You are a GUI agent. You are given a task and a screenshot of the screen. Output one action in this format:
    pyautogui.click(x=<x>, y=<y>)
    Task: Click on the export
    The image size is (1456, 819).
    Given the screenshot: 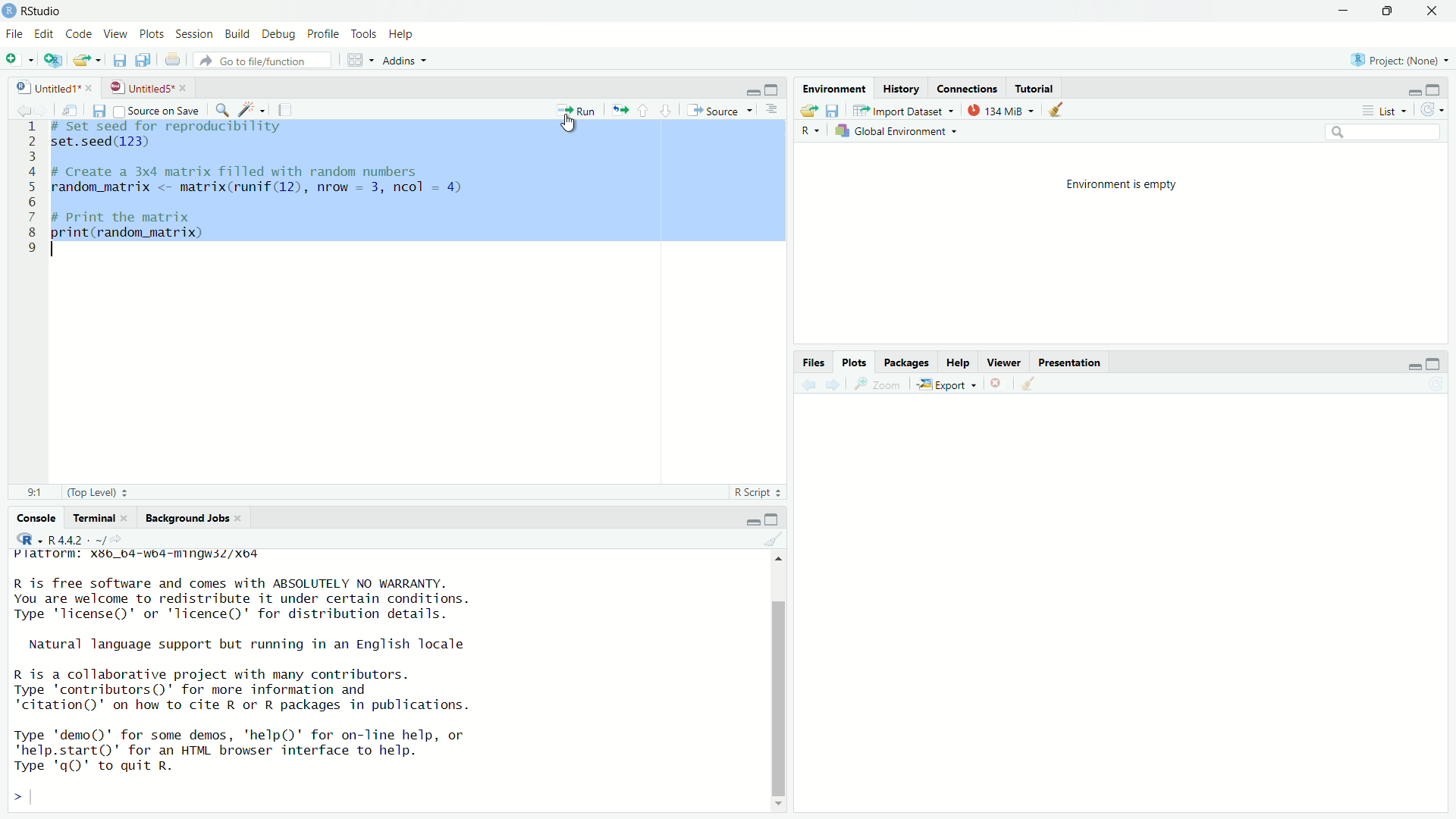 What is the action you would take?
    pyautogui.click(x=809, y=109)
    